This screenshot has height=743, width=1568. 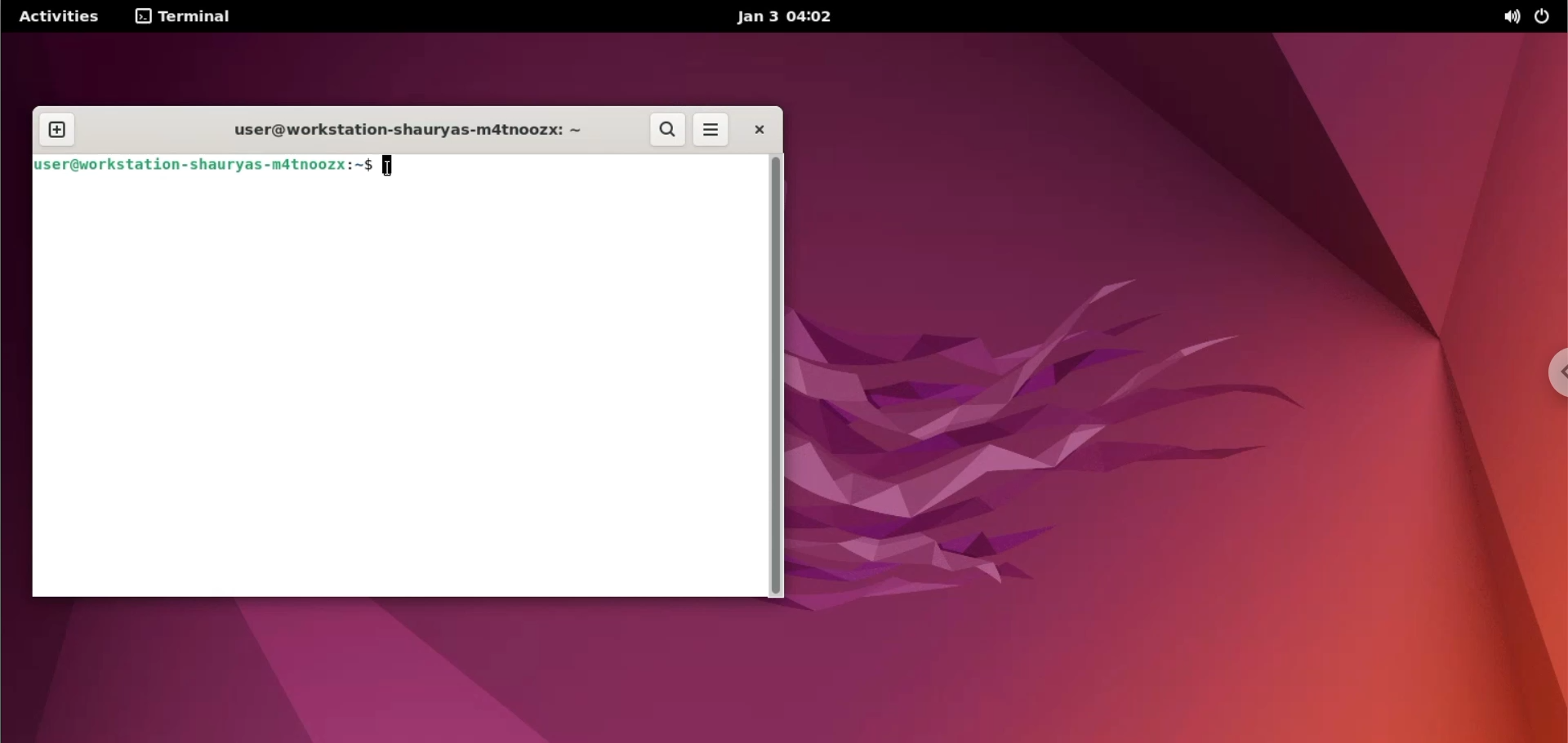 I want to click on cursor, so click(x=390, y=172).